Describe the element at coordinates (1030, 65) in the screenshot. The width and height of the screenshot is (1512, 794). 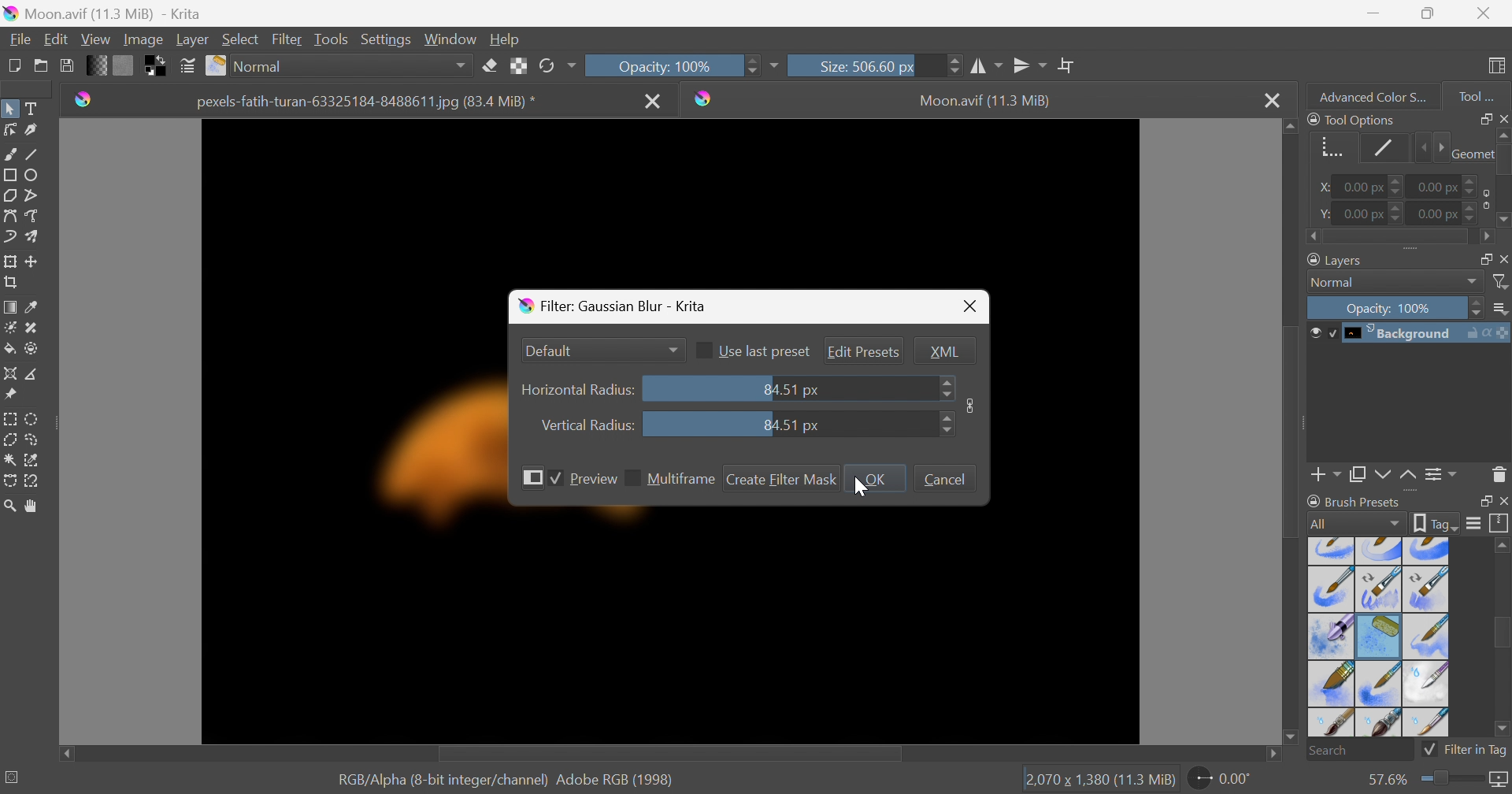
I see `Vertical mirror tool` at that location.